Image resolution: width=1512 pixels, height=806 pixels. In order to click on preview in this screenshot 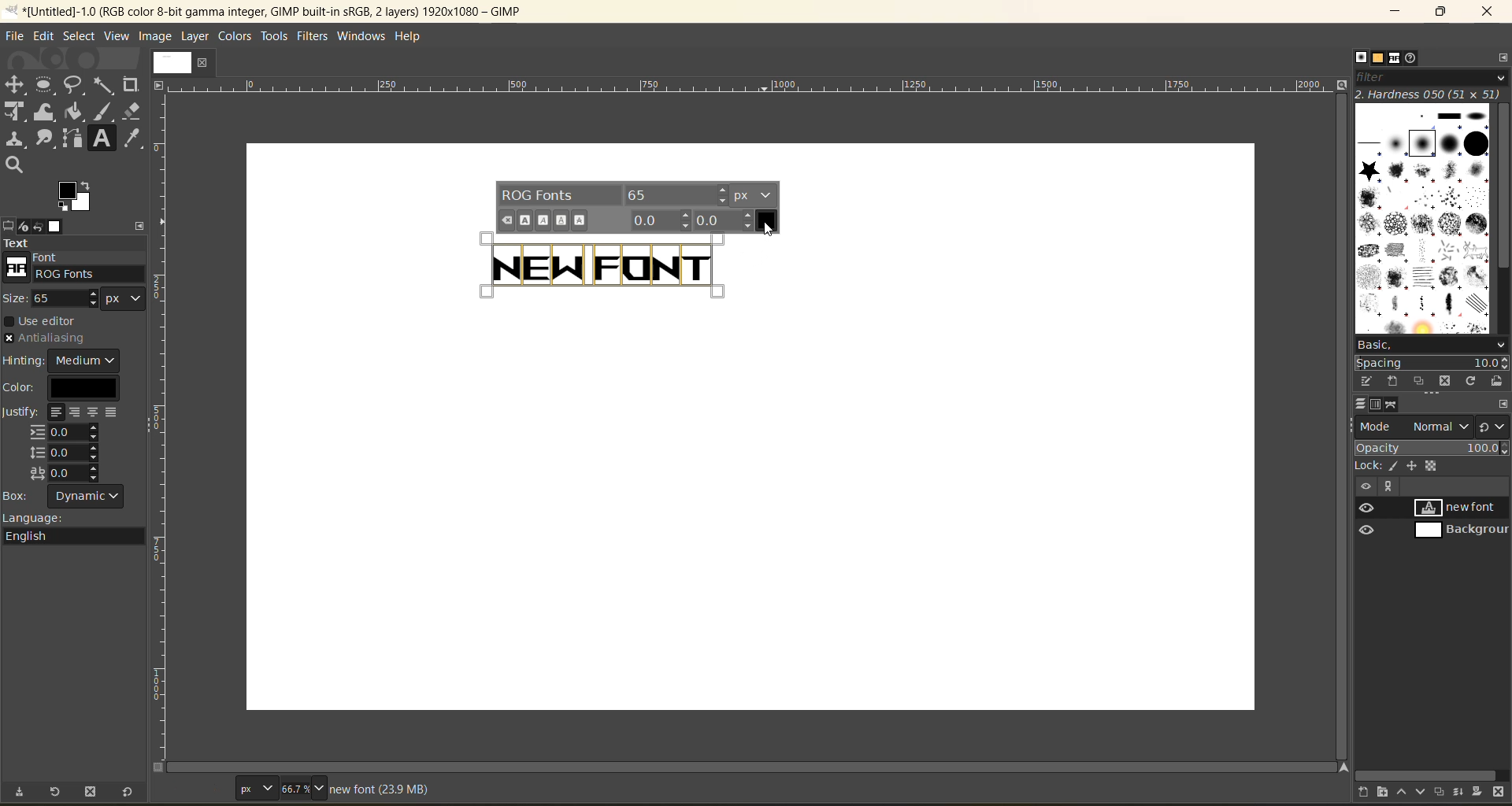, I will do `click(1369, 520)`.